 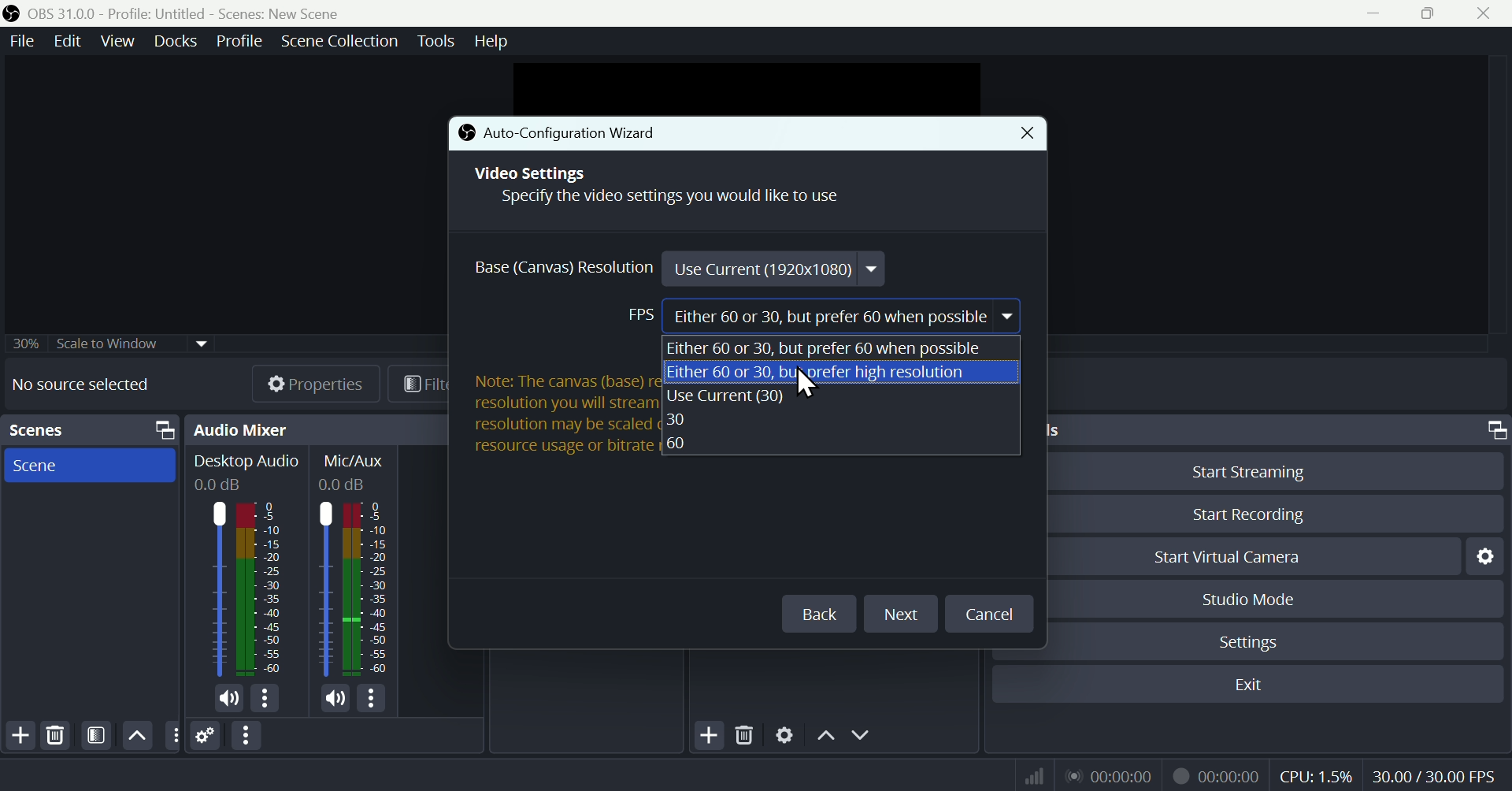 I want to click on Scene, so click(x=89, y=465).